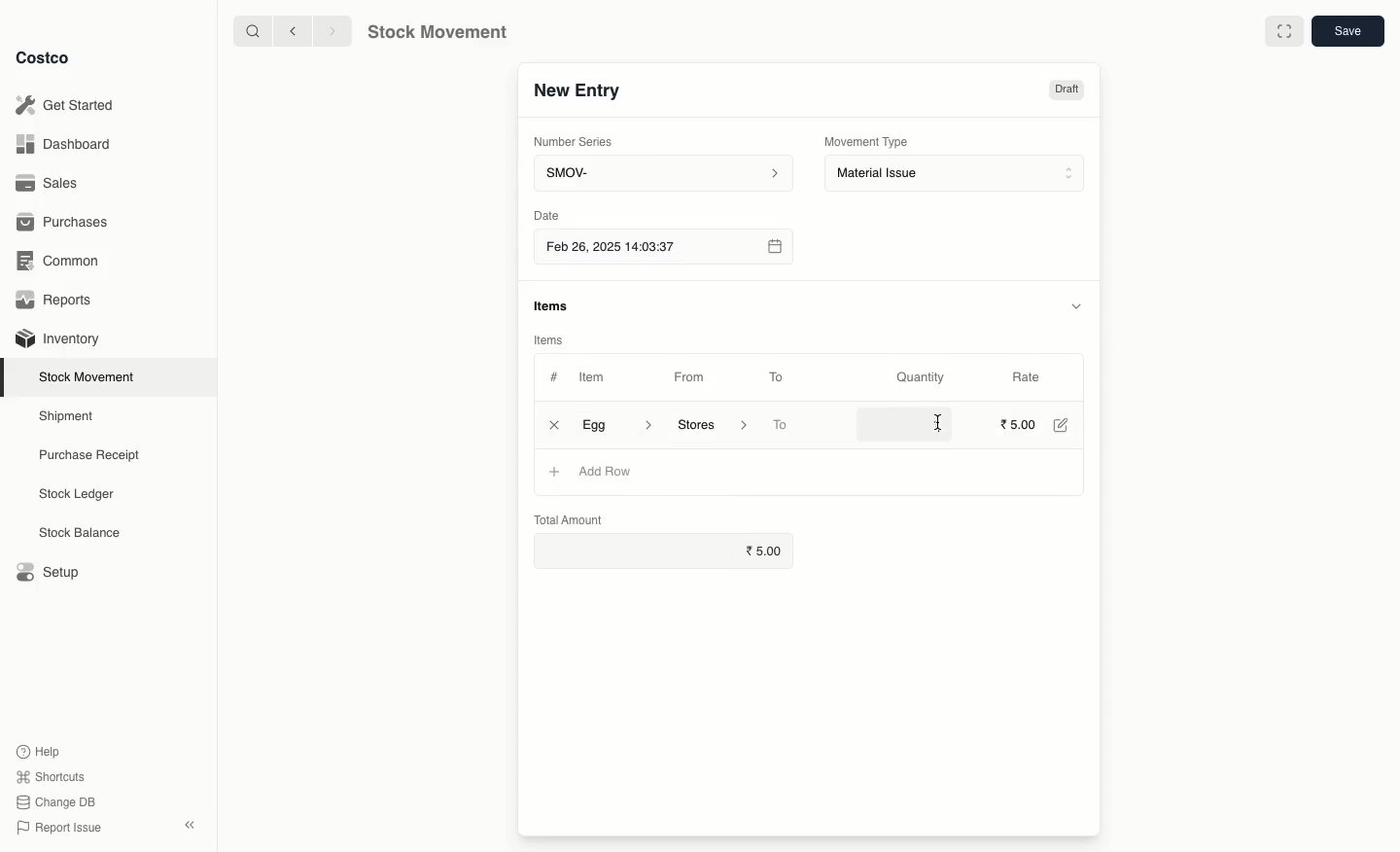  I want to click on Costco, so click(44, 58).